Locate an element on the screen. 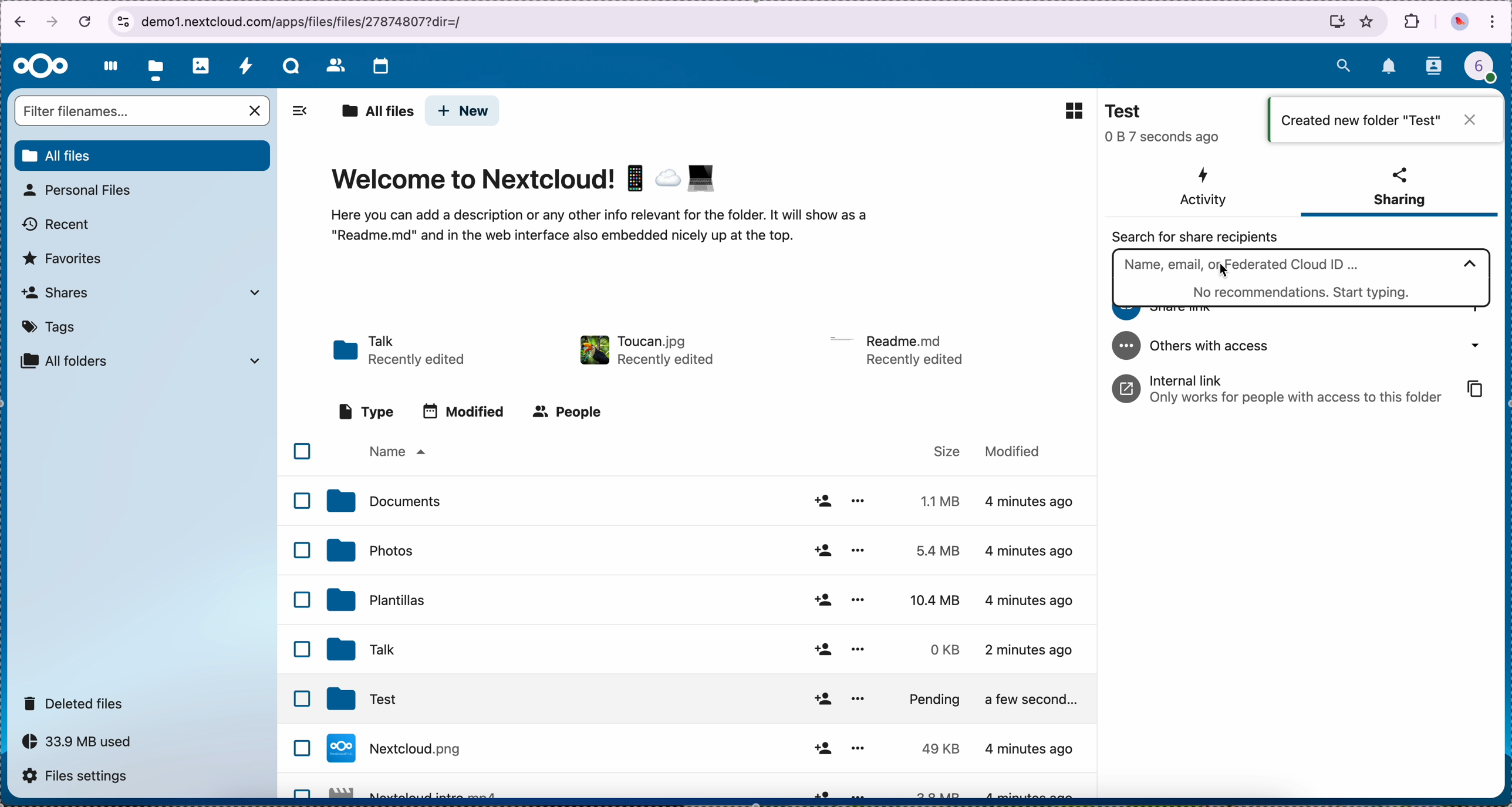 This screenshot has width=1512, height=807. people is located at coordinates (571, 412).